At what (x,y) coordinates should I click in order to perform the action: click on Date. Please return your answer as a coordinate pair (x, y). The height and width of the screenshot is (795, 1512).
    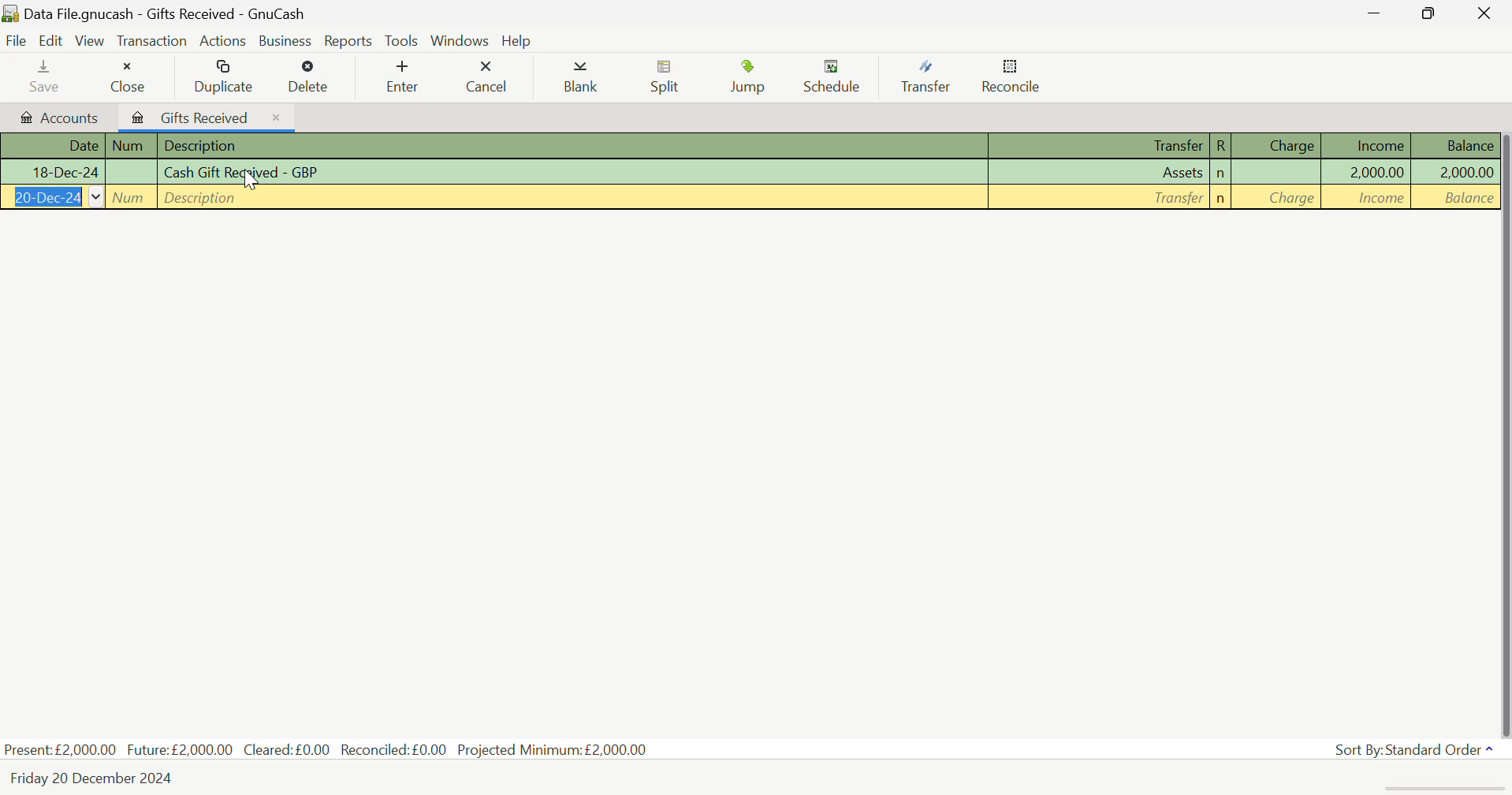
    Looking at the image, I should click on (52, 146).